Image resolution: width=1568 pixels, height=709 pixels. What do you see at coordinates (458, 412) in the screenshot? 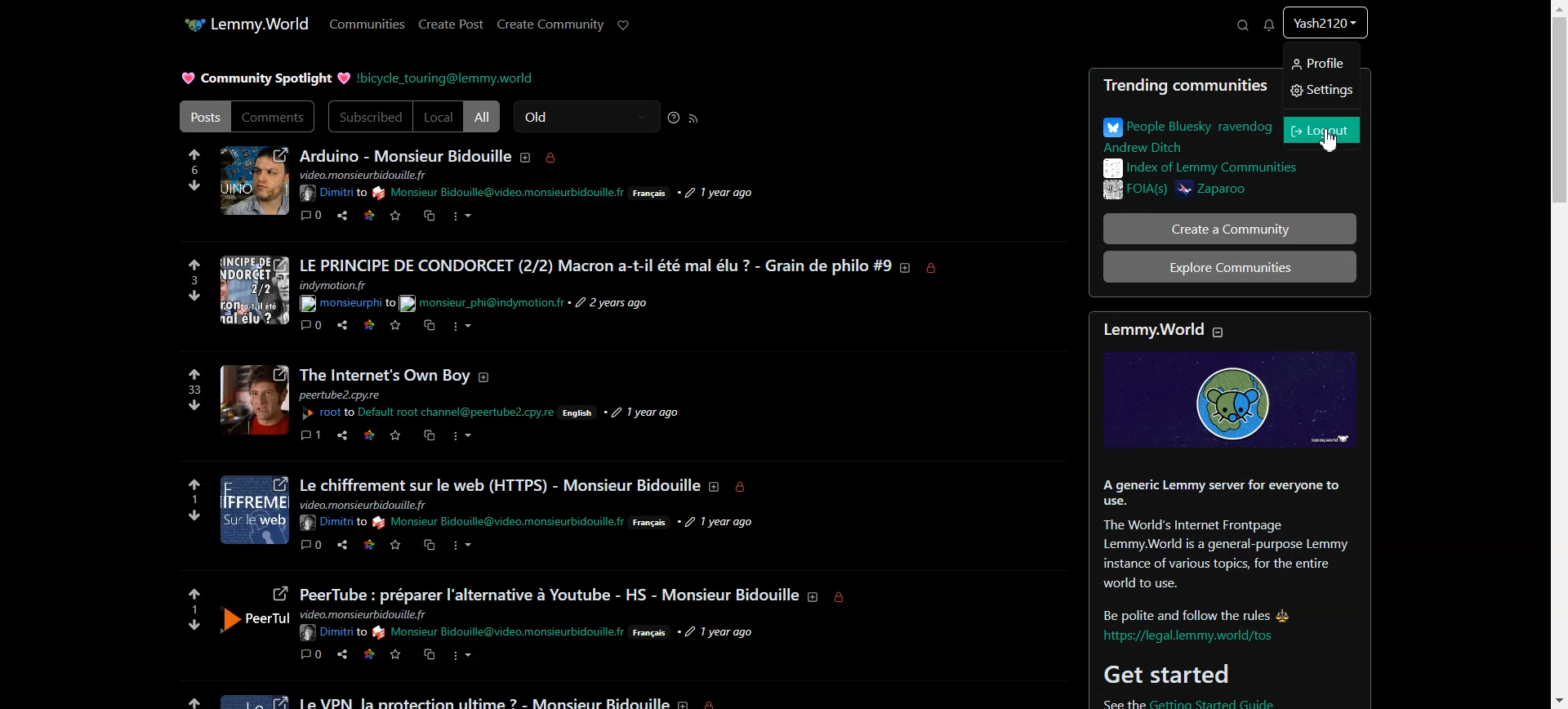
I see `hyperlink` at bounding box center [458, 412].